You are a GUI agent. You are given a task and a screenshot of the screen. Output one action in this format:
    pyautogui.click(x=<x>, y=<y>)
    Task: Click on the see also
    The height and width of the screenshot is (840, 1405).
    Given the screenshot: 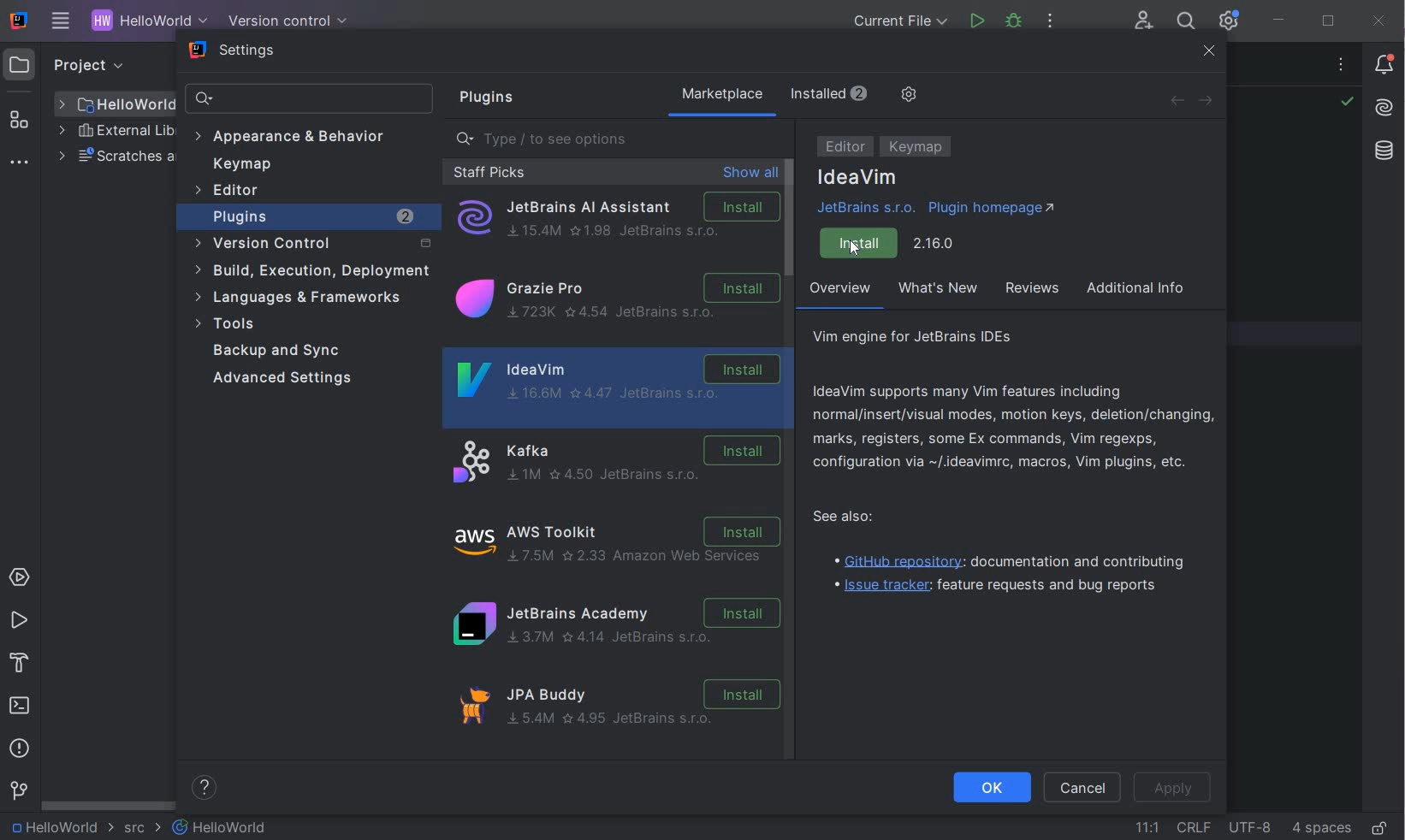 What is the action you would take?
    pyautogui.click(x=854, y=518)
    